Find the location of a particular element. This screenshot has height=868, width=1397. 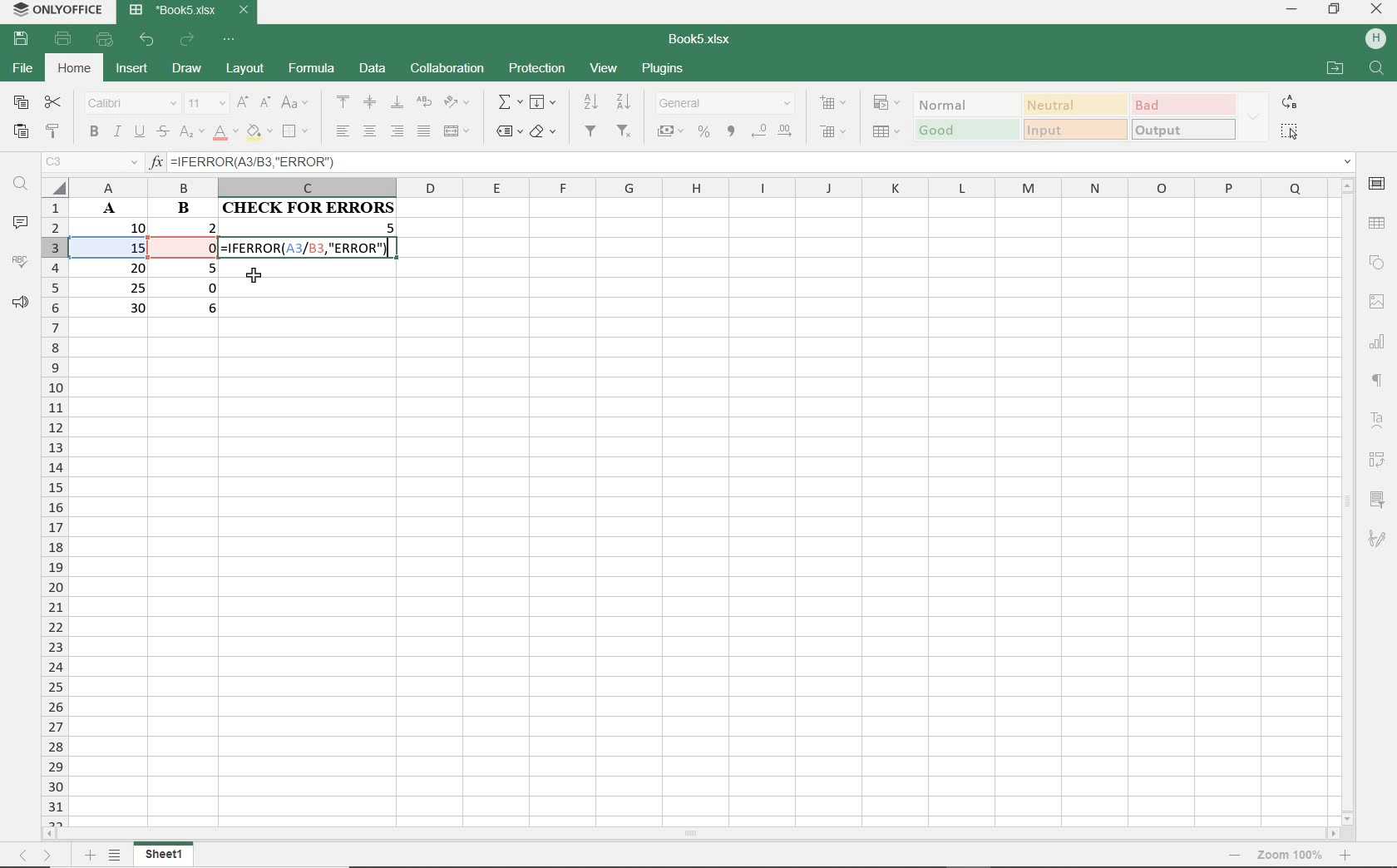

INPUT FUNCTION is located at coordinates (752, 163).